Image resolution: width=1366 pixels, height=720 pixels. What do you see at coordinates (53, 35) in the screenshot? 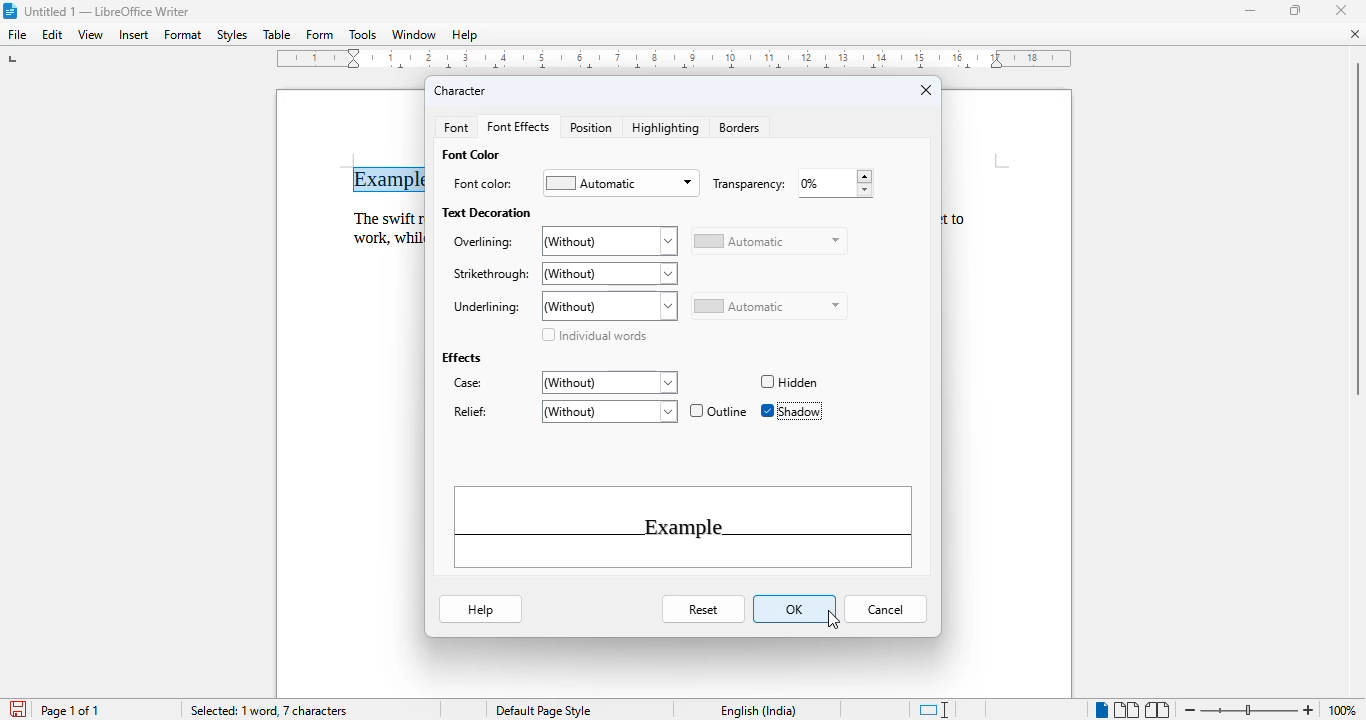
I see `edit` at bounding box center [53, 35].